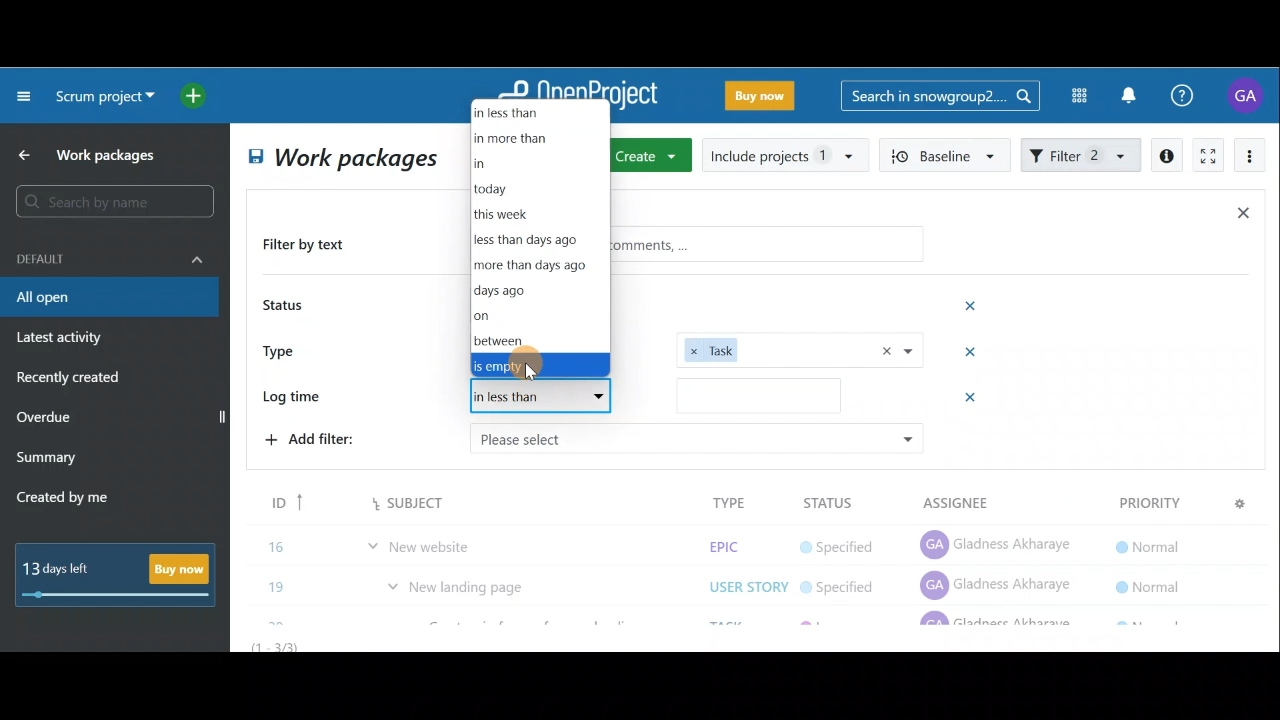 This screenshot has height=720, width=1280. I want to click on Overdue, so click(46, 419).